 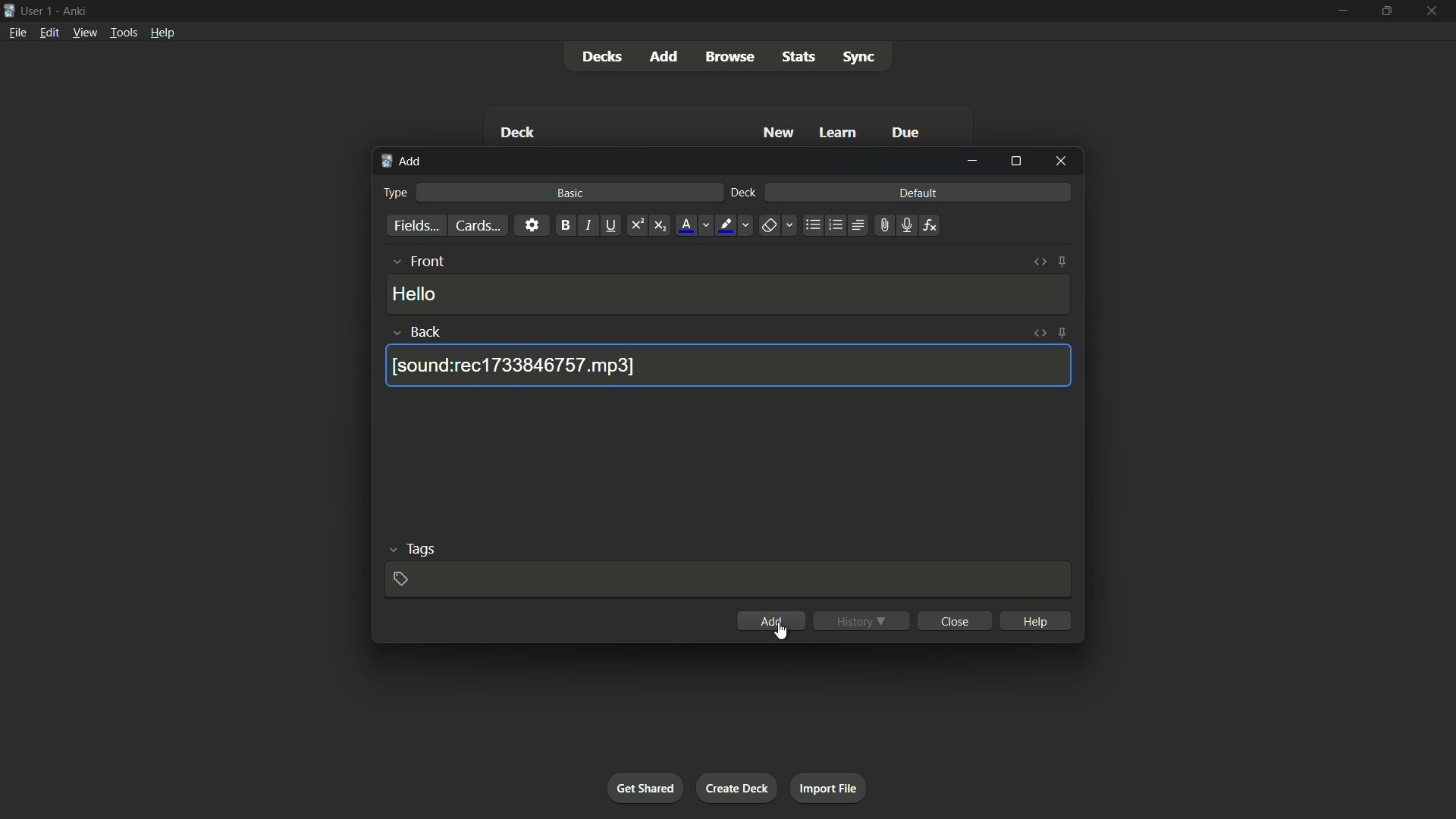 I want to click on front, so click(x=419, y=261).